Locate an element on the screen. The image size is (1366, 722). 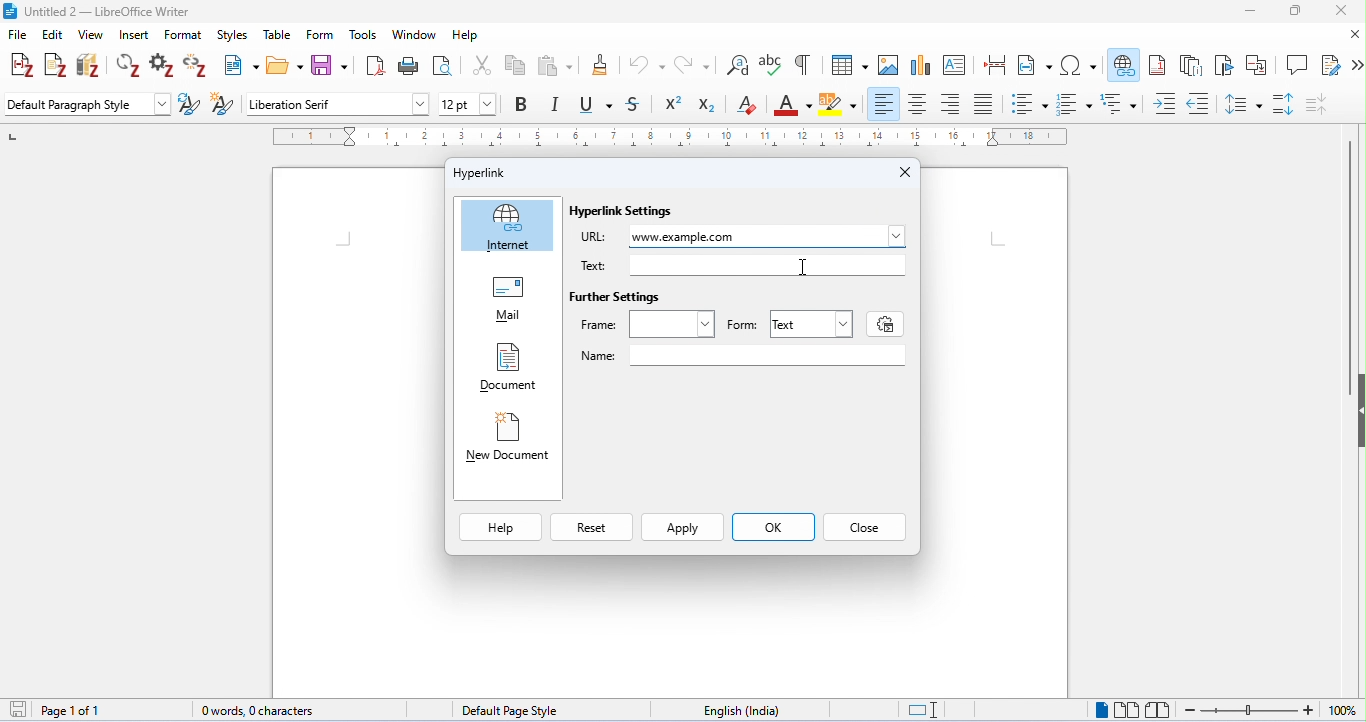
default paragraph style is located at coordinates (86, 103).